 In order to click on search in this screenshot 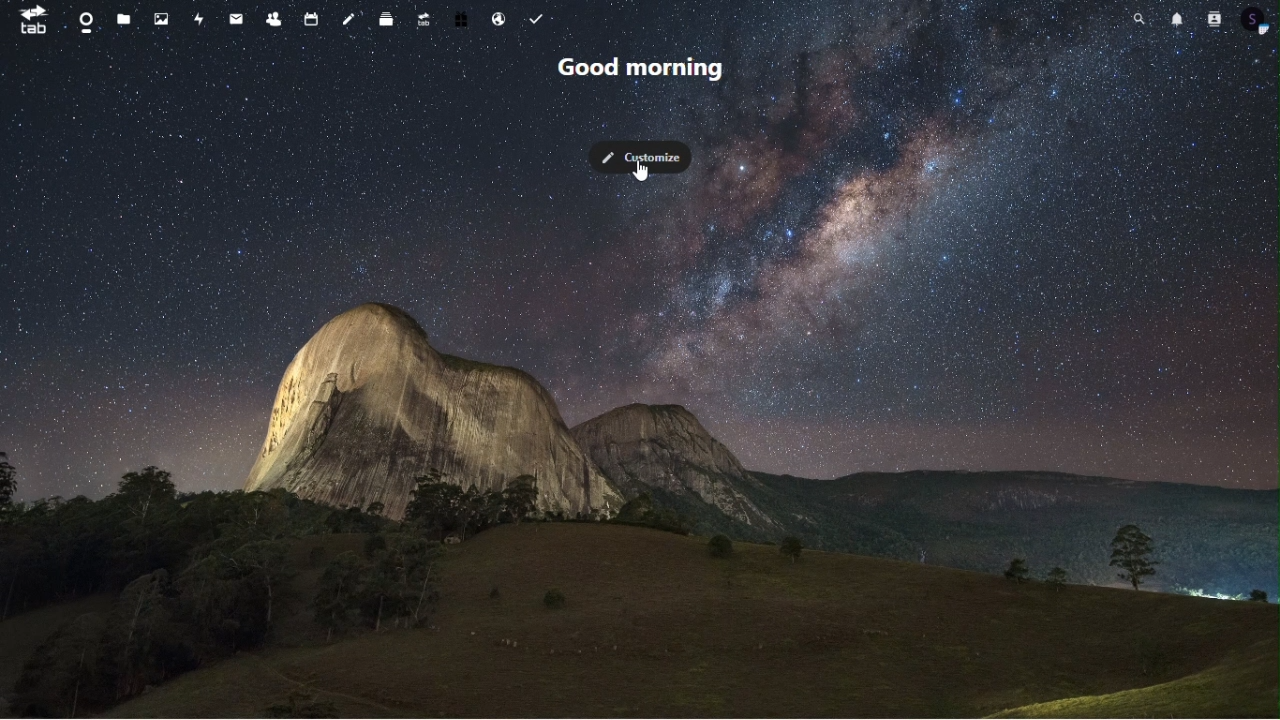, I will do `click(1142, 18)`.